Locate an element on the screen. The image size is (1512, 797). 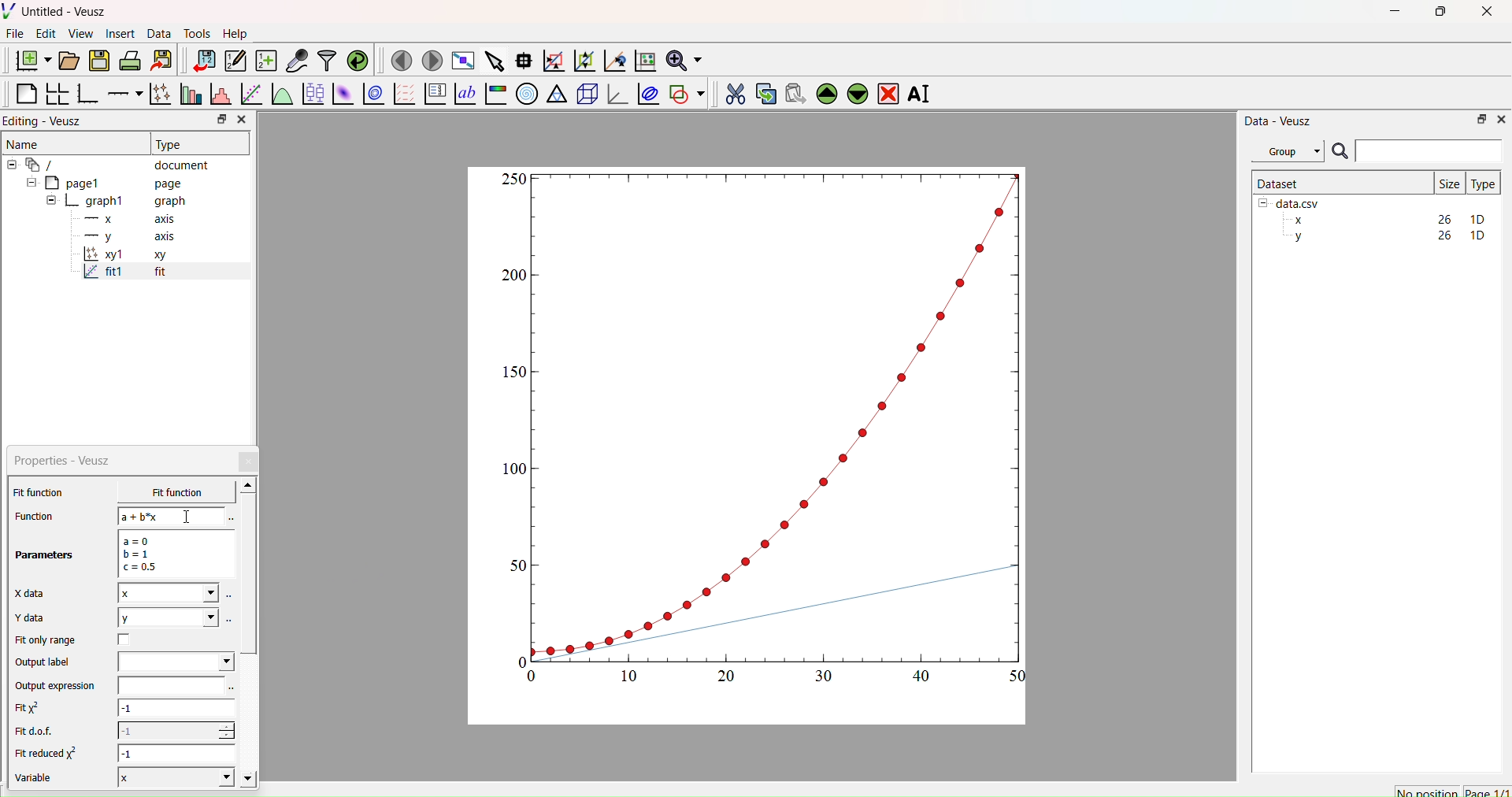
Plot a function is located at coordinates (281, 95).